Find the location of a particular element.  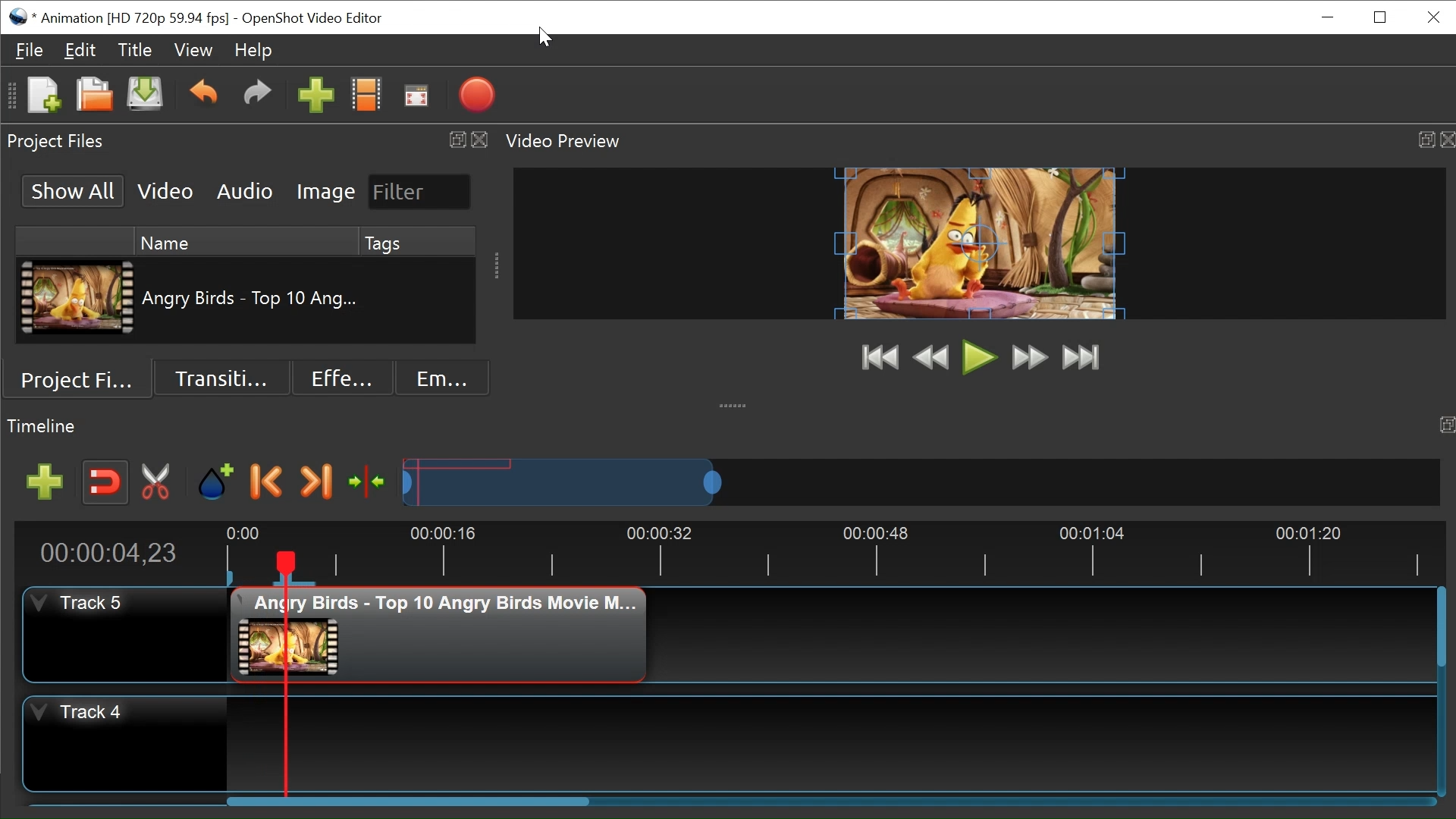

Center the timeline on the playhead is located at coordinates (370, 484).